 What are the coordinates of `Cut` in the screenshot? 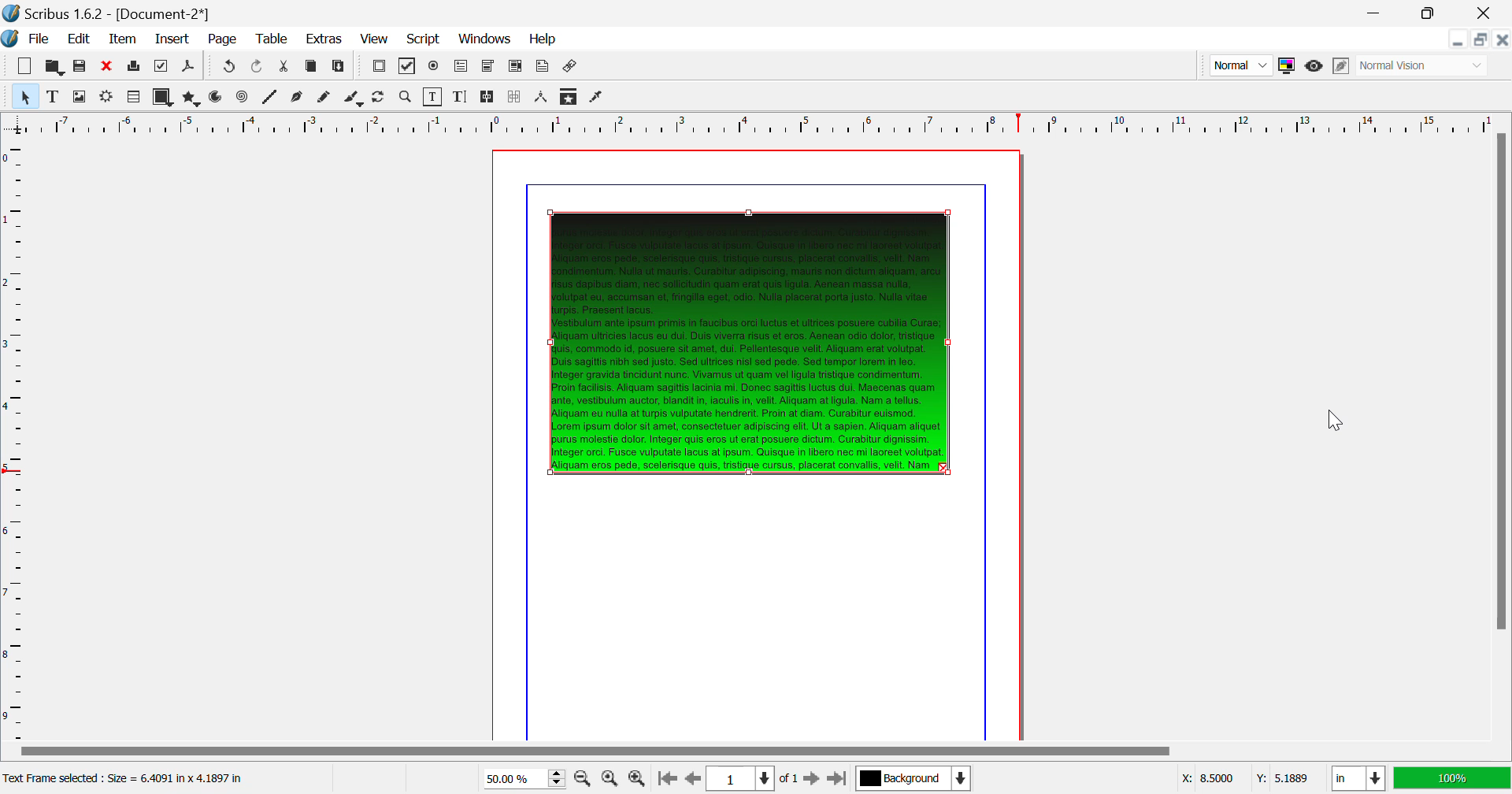 It's located at (285, 68).